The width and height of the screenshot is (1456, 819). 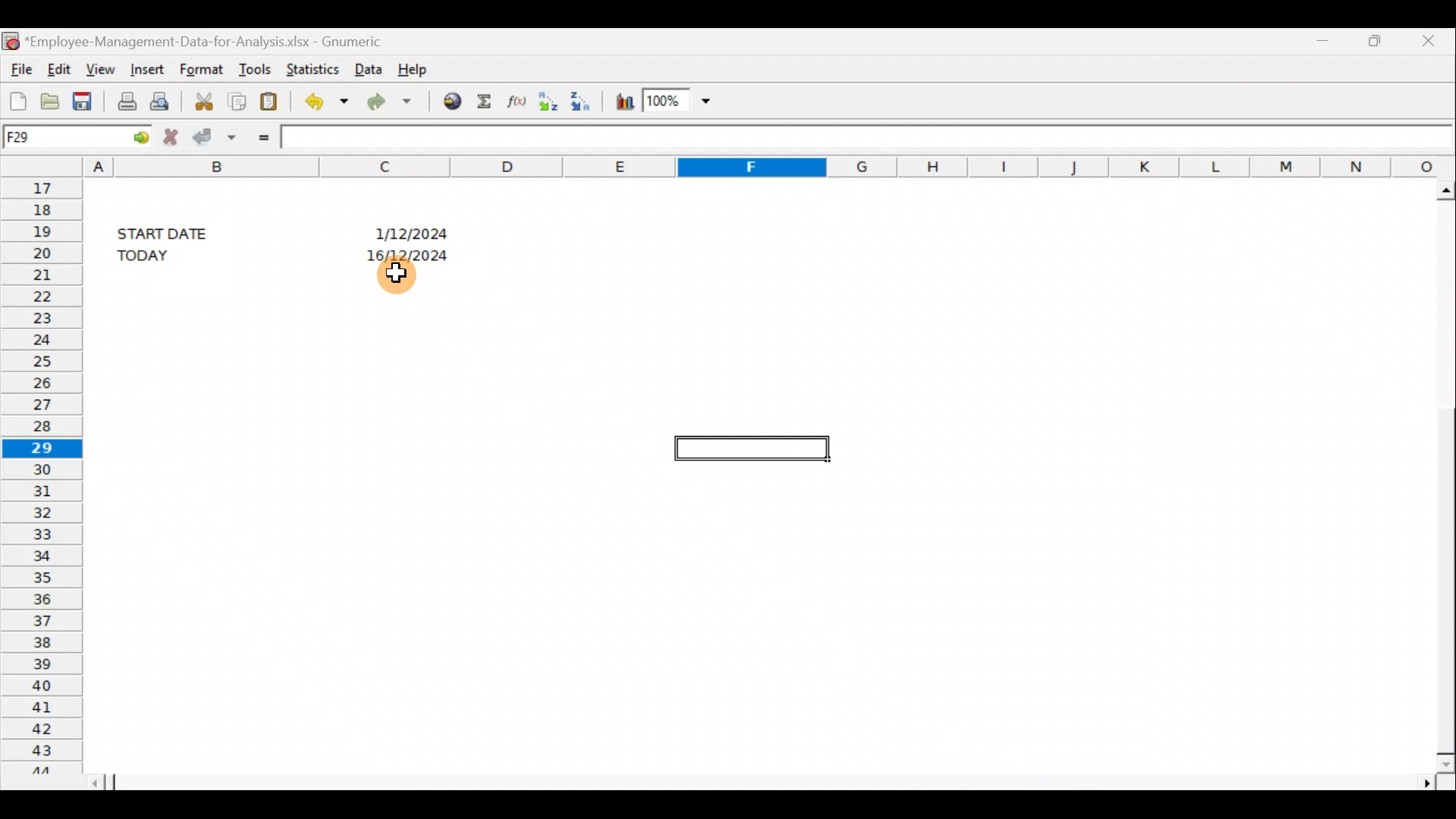 What do you see at coordinates (49, 136) in the screenshot?
I see `Cell name F29` at bounding box center [49, 136].